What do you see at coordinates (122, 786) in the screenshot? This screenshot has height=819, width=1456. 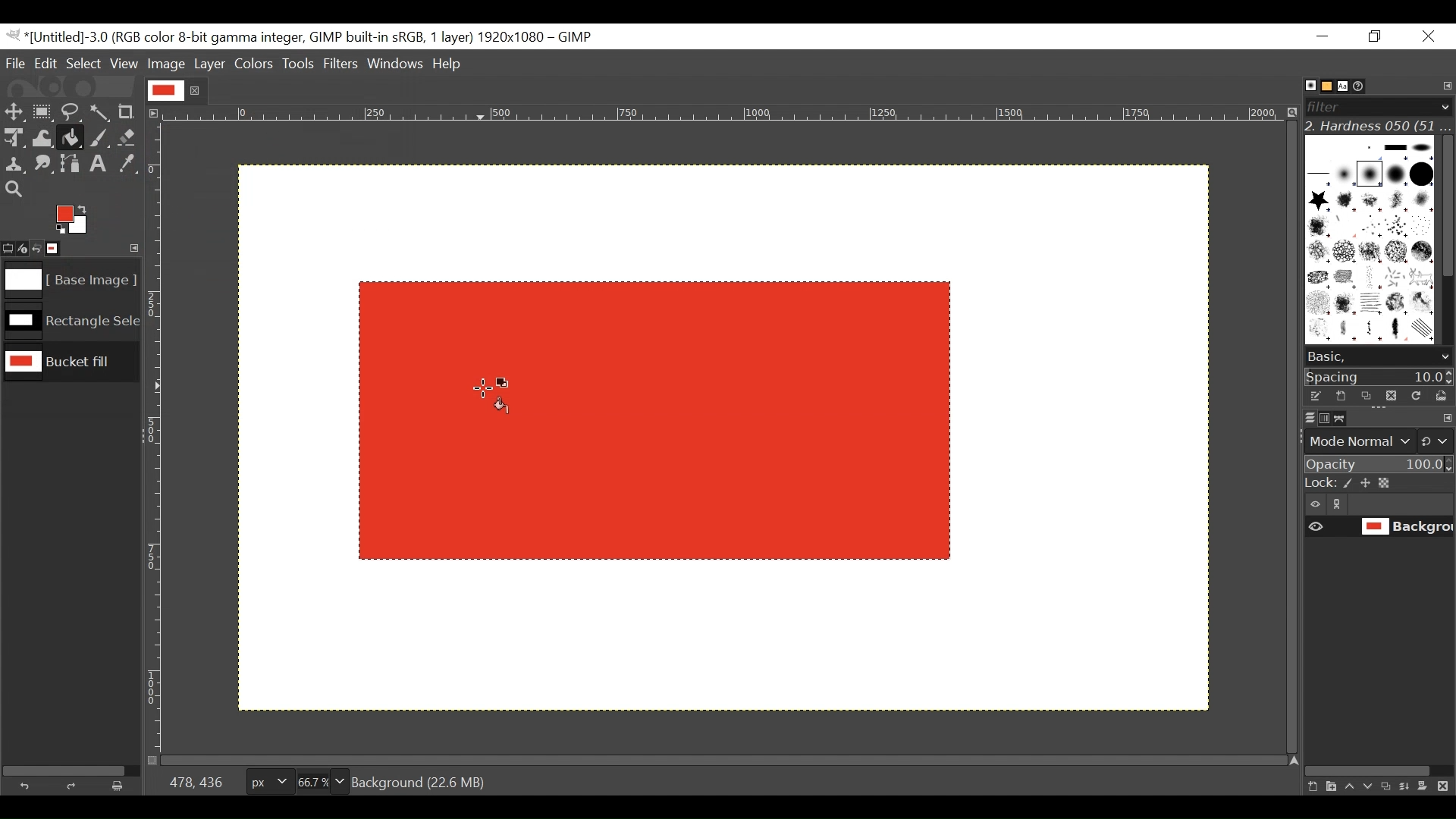 I see `Clear button` at bounding box center [122, 786].